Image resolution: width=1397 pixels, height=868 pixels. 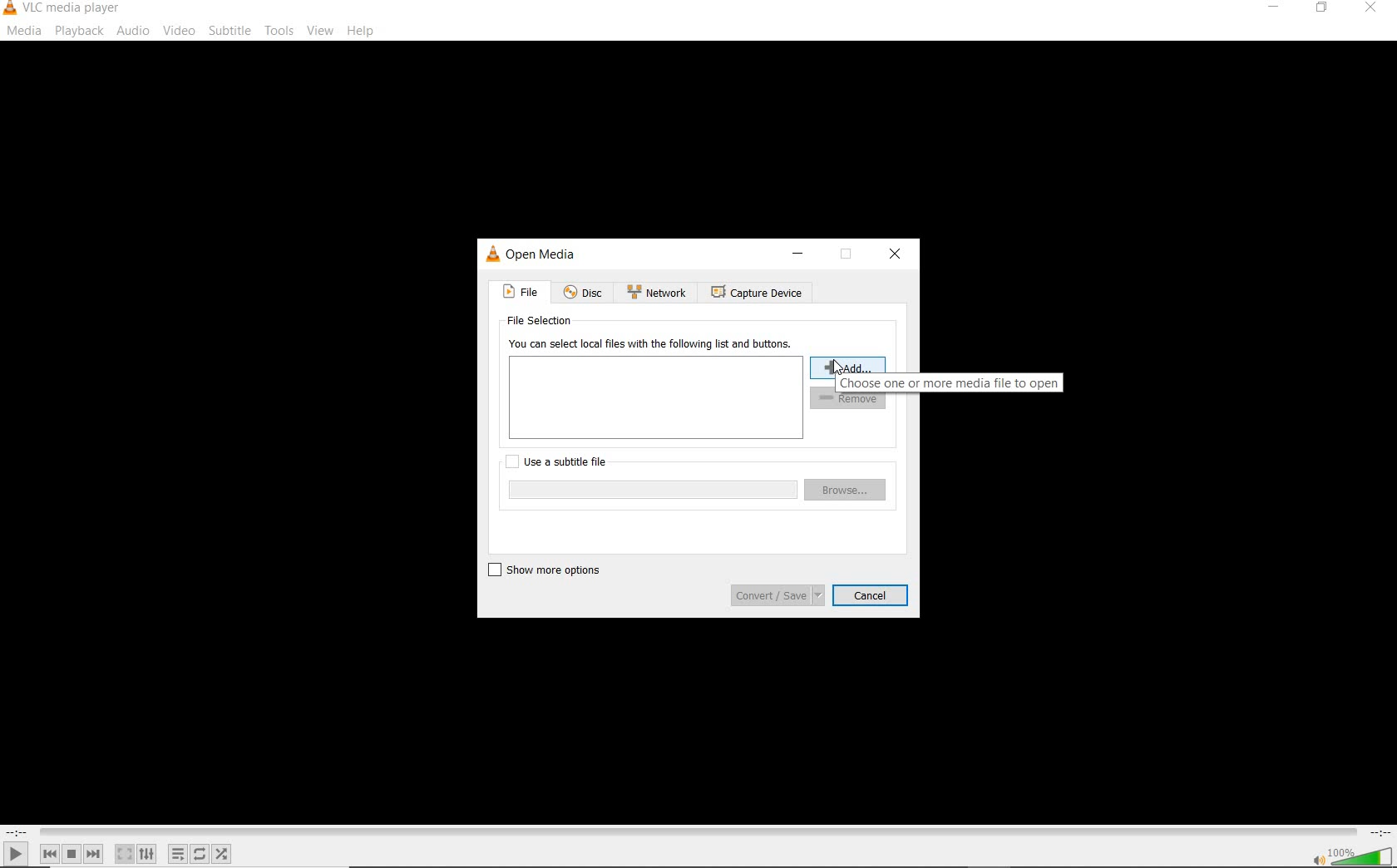 I want to click on remaining time, so click(x=1379, y=832).